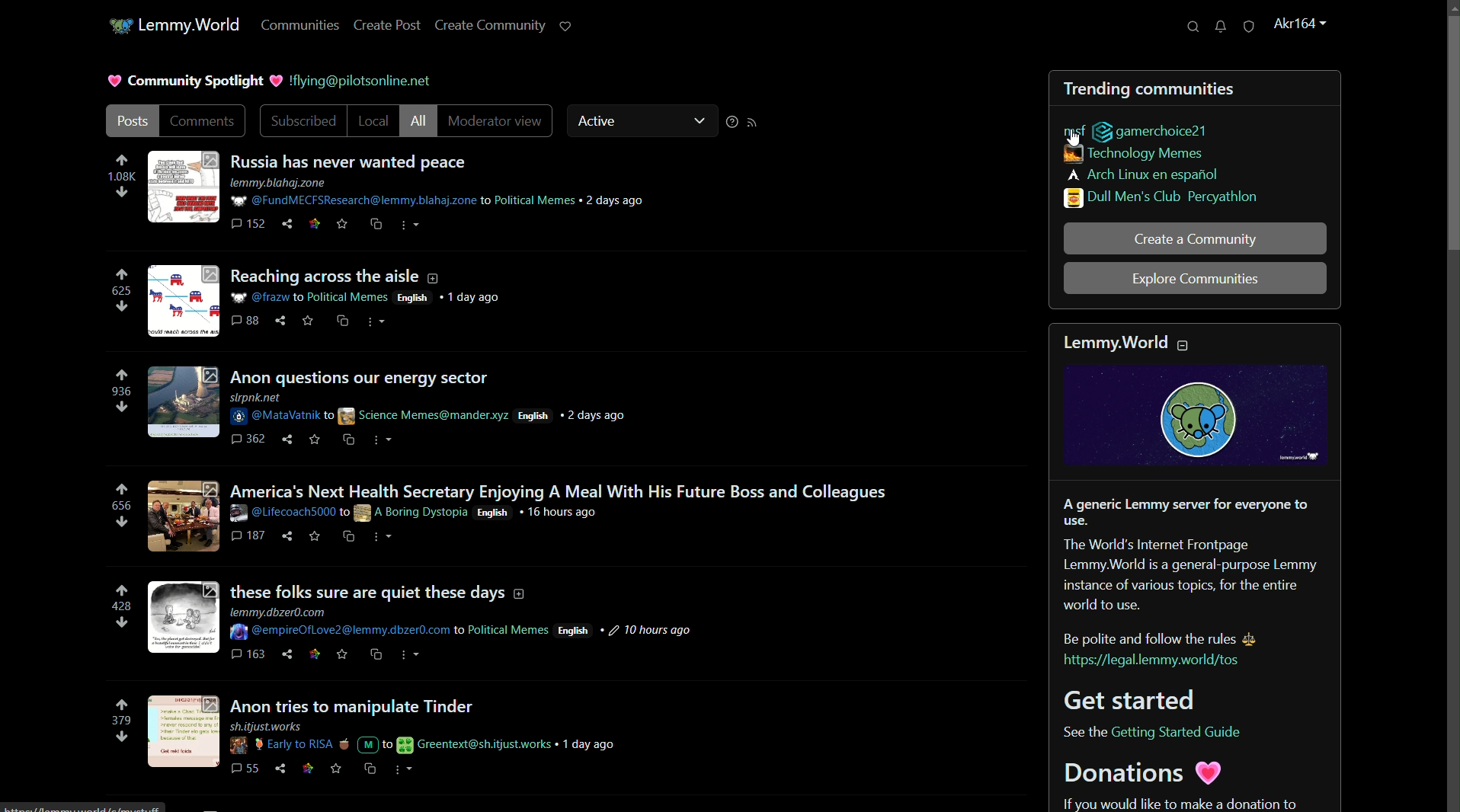 The image size is (1460, 812). I want to click on cs, so click(346, 535).